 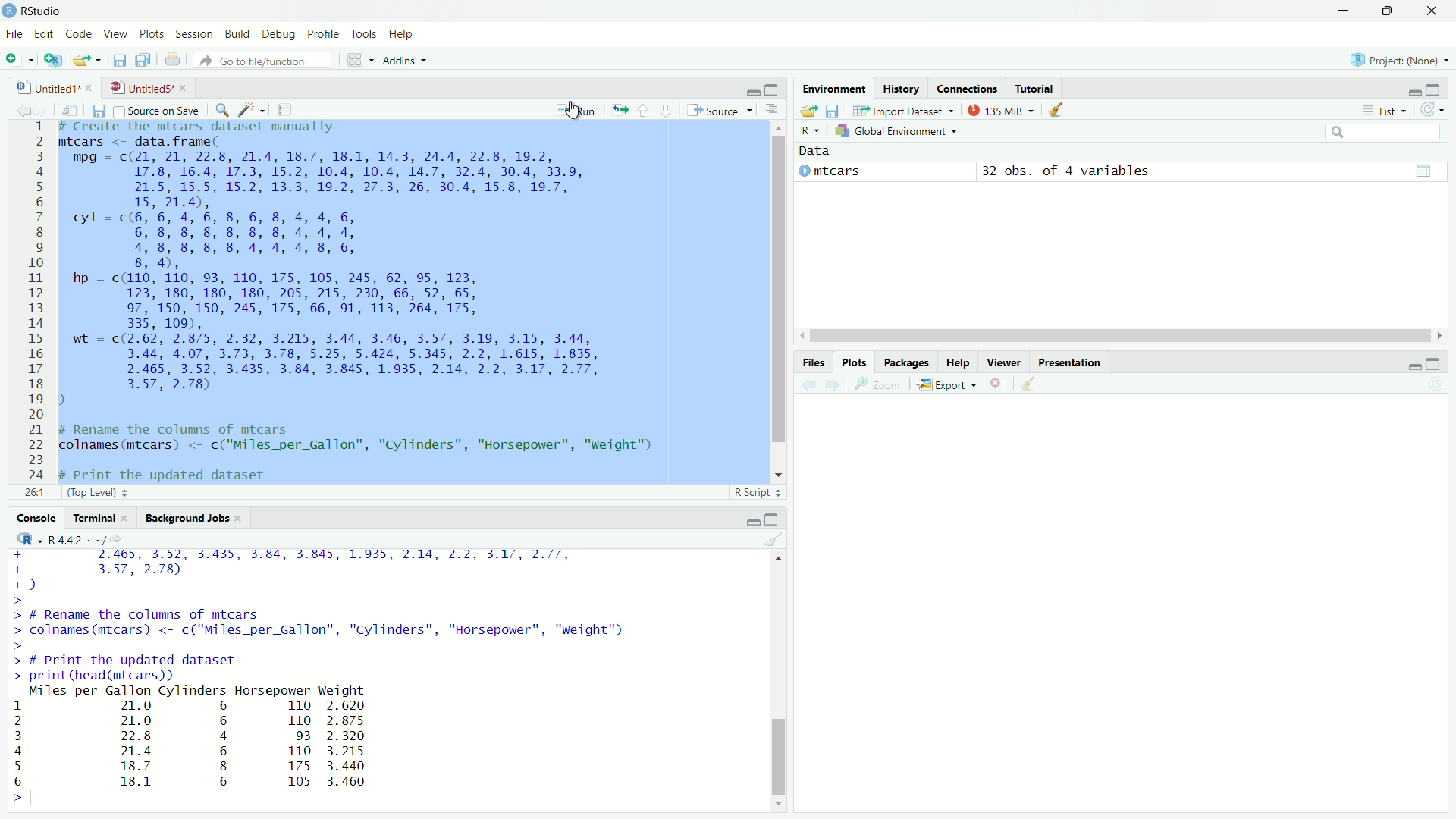 What do you see at coordinates (773, 538) in the screenshot?
I see `clear` at bounding box center [773, 538].